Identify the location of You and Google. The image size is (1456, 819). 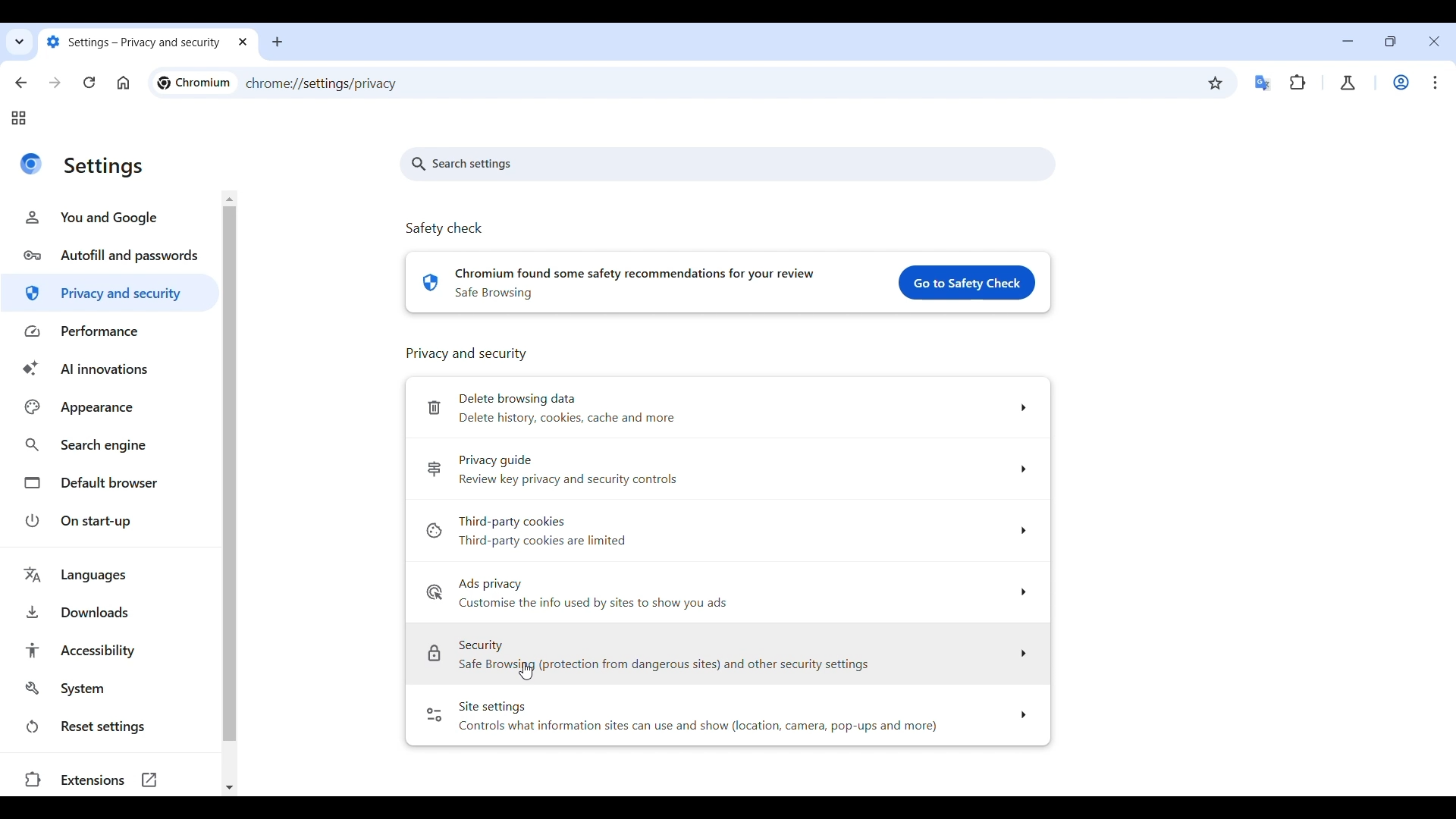
(111, 218).